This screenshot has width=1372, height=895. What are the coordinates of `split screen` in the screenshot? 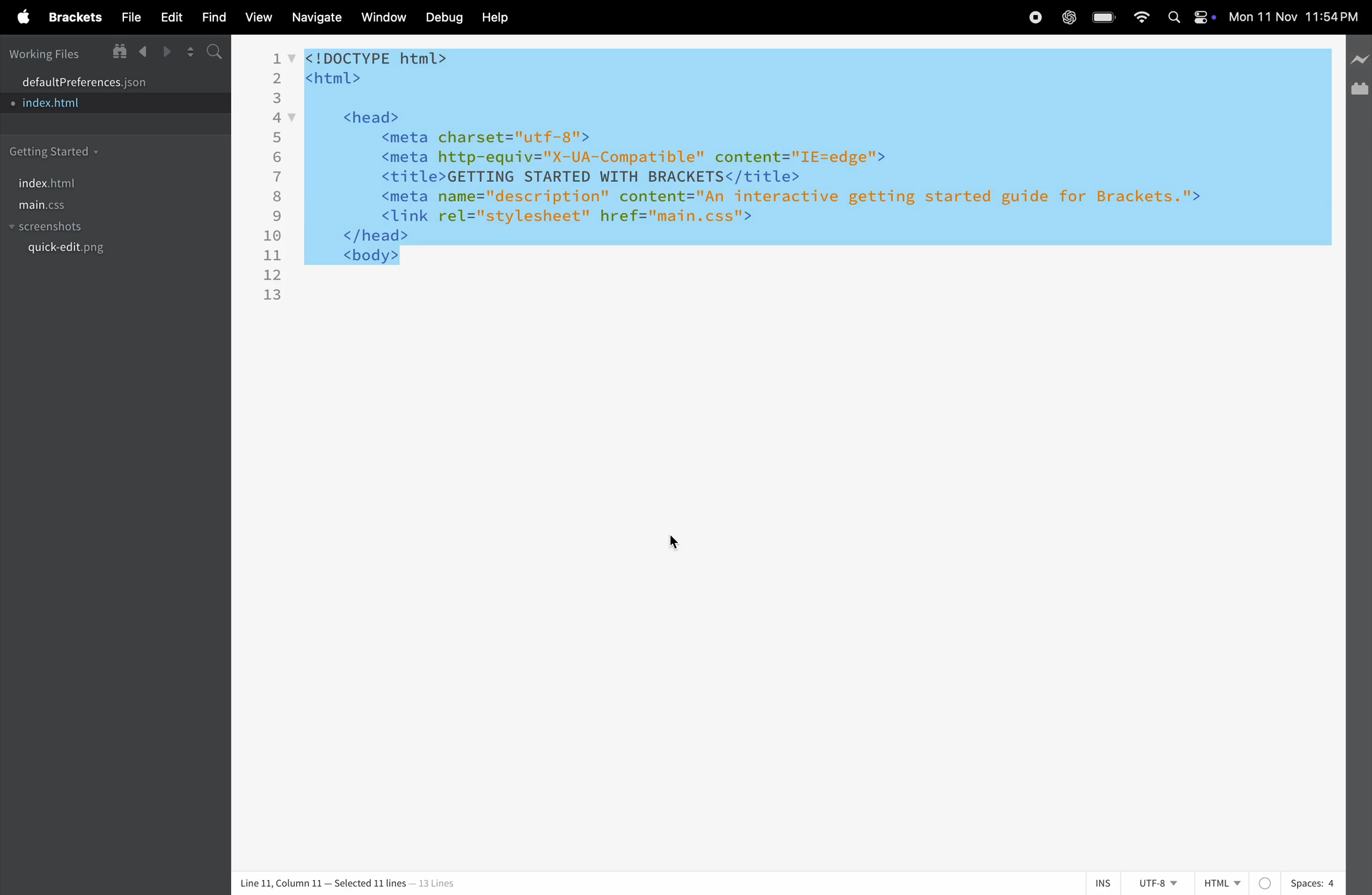 It's located at (190, 51).